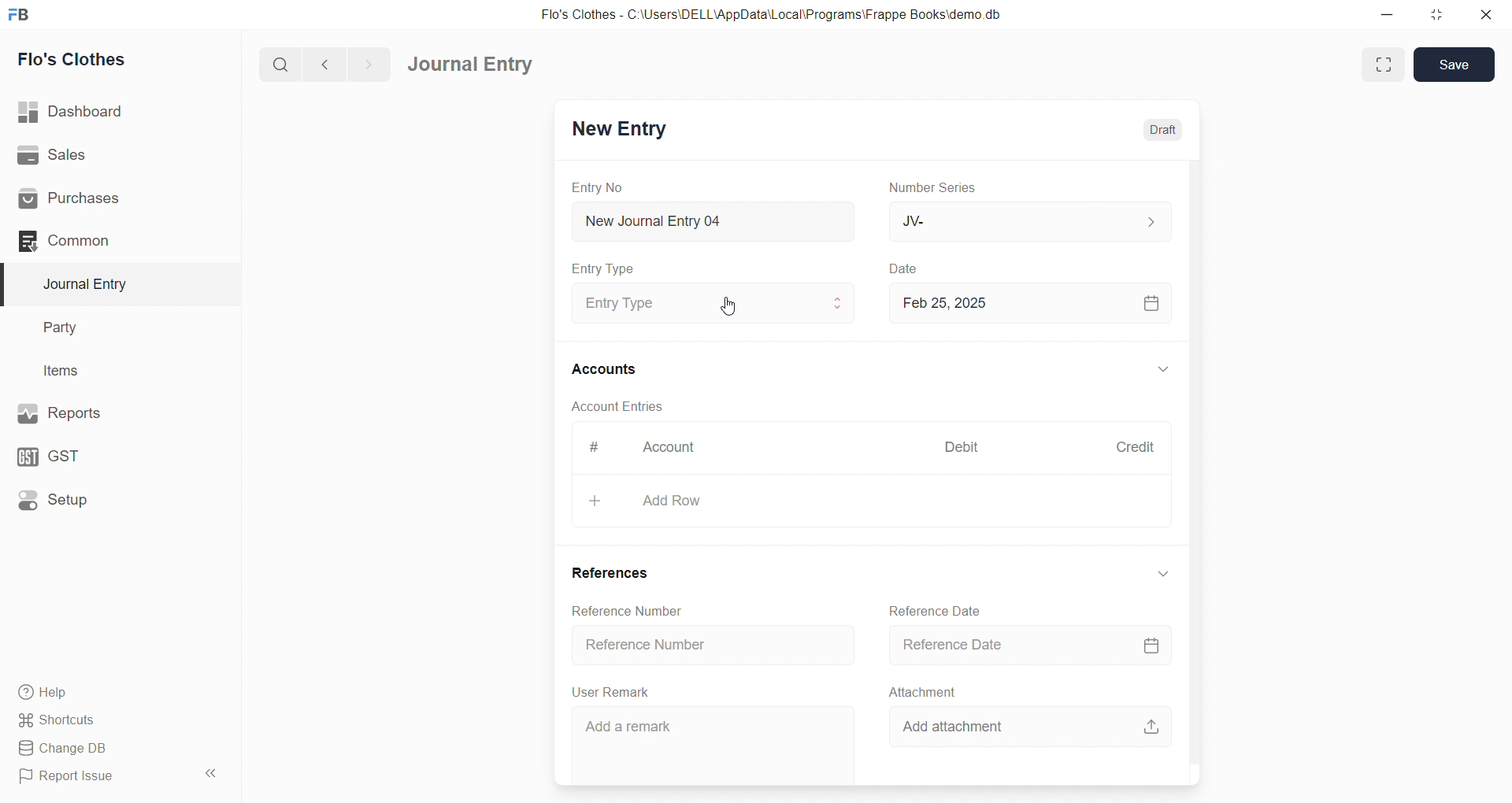 The width and height of the screenshot is (1512, 803). What do you see at coordinates (595, 449) in the screenshot?
I see `#` at bounding box center [595, 449].